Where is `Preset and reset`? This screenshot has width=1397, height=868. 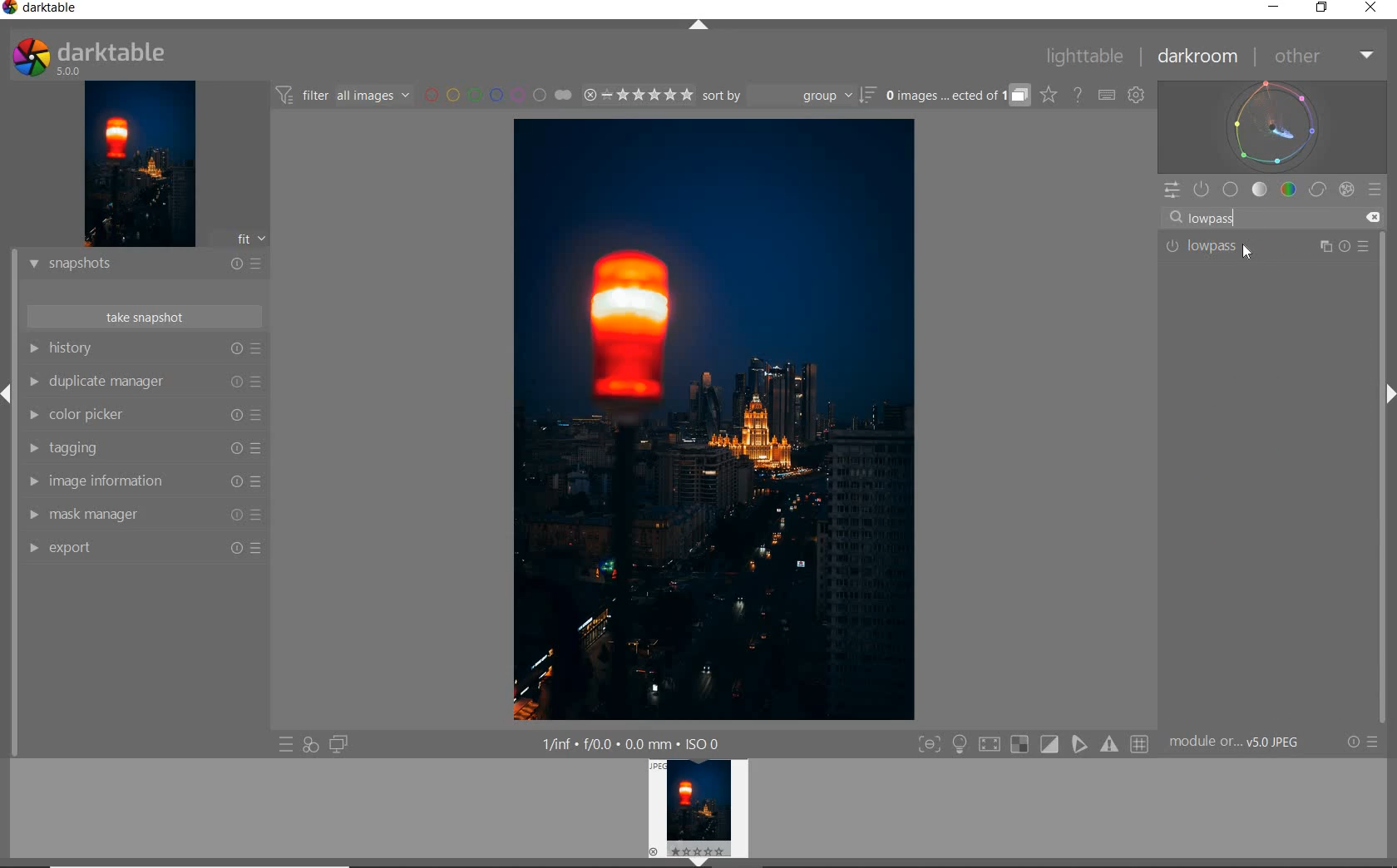 Preset and reset is located at coordinates (259, 483).